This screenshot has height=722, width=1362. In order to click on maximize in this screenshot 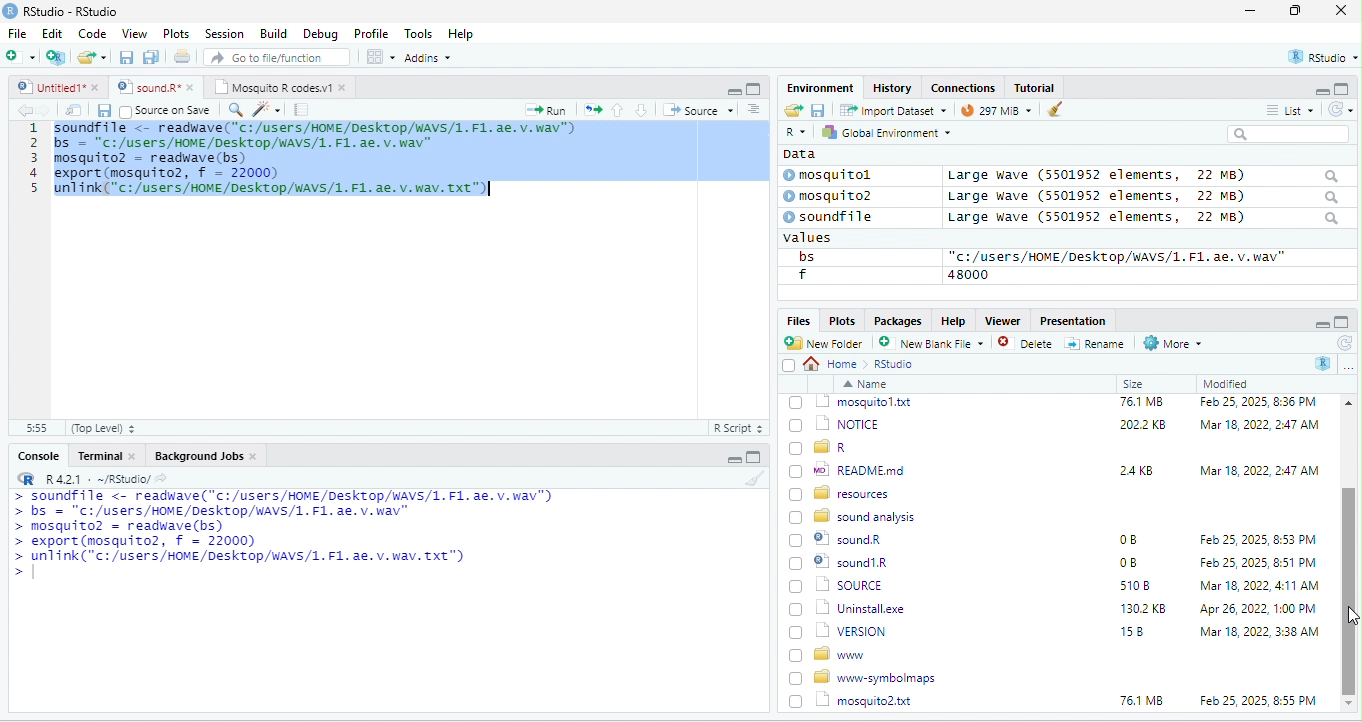, I will do `click(1299, 12)`.